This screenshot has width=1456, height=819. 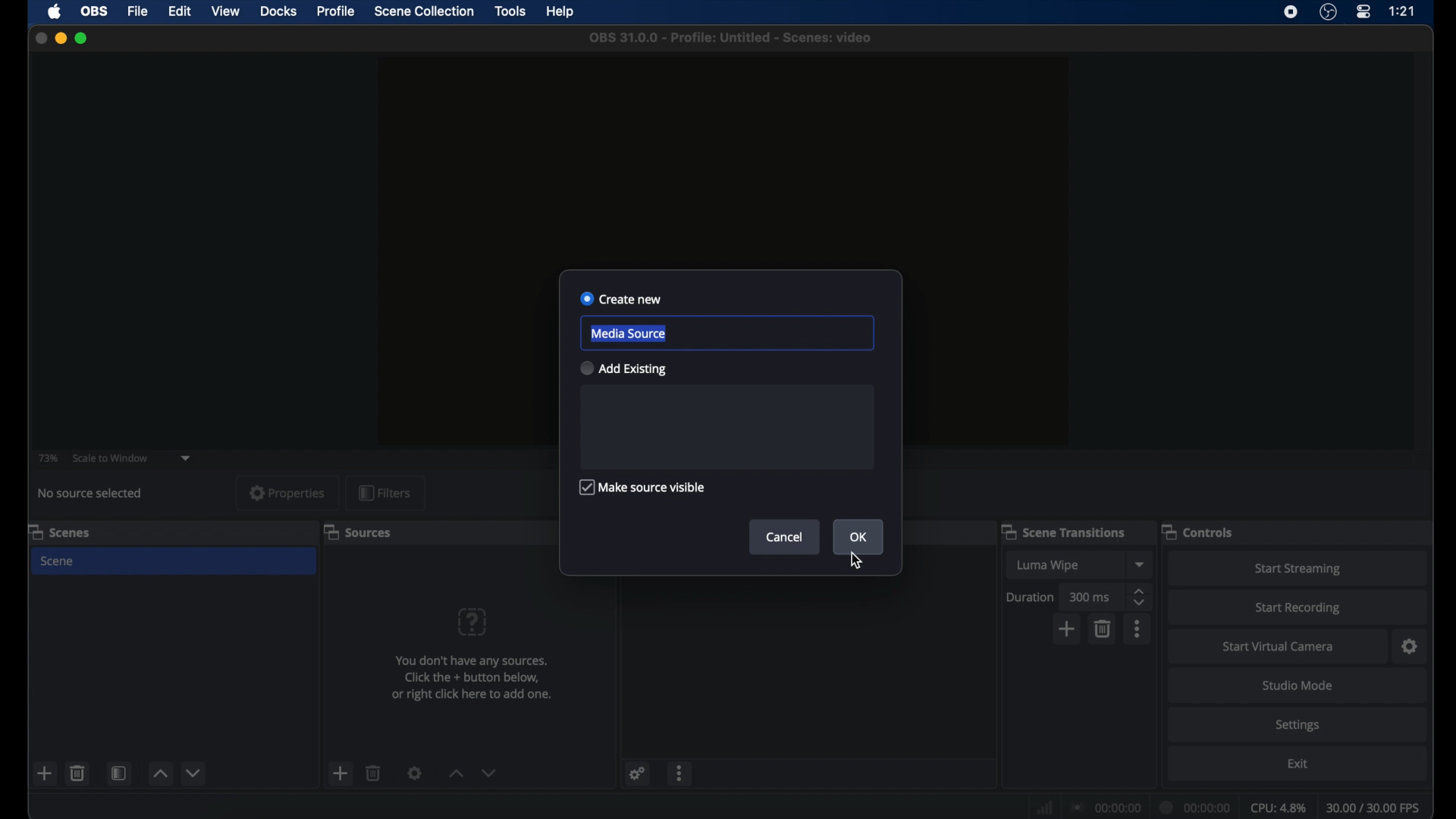 I want to click on 73%, so click(x=47, y=457).